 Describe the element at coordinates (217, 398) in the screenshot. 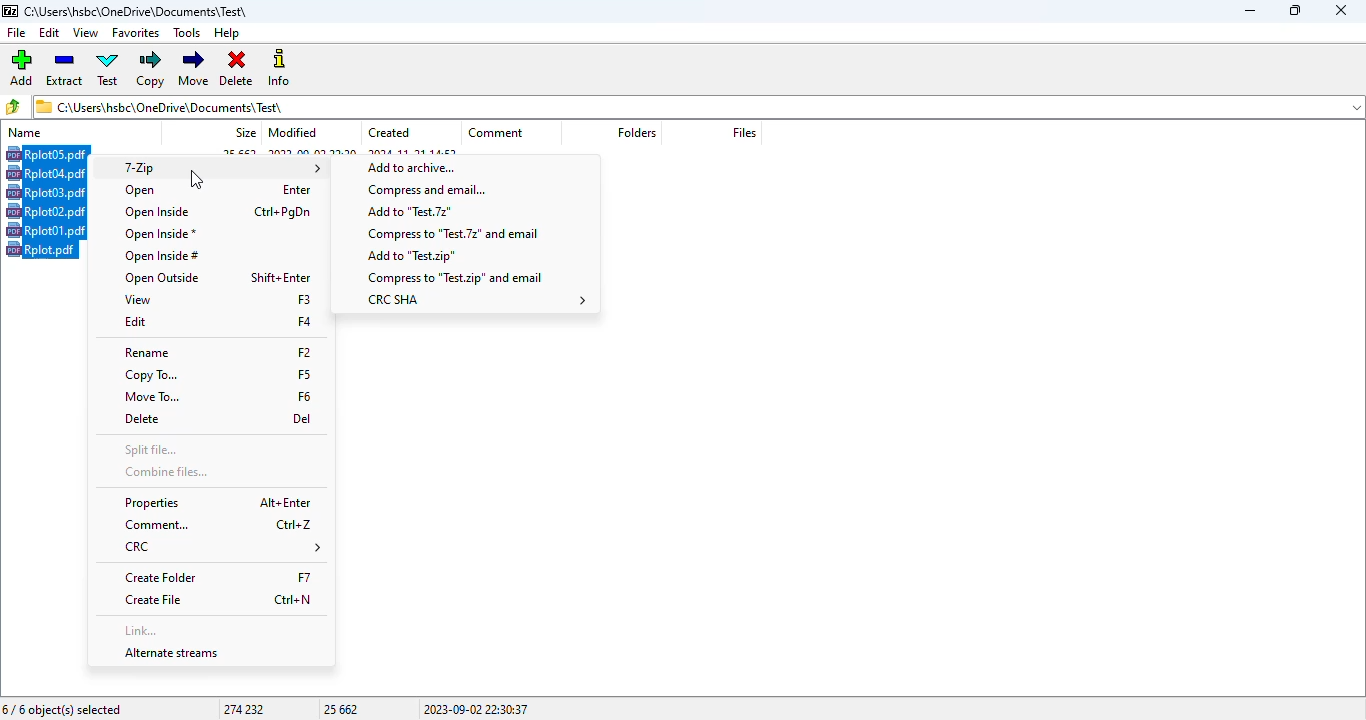

I see `move to` at that location.